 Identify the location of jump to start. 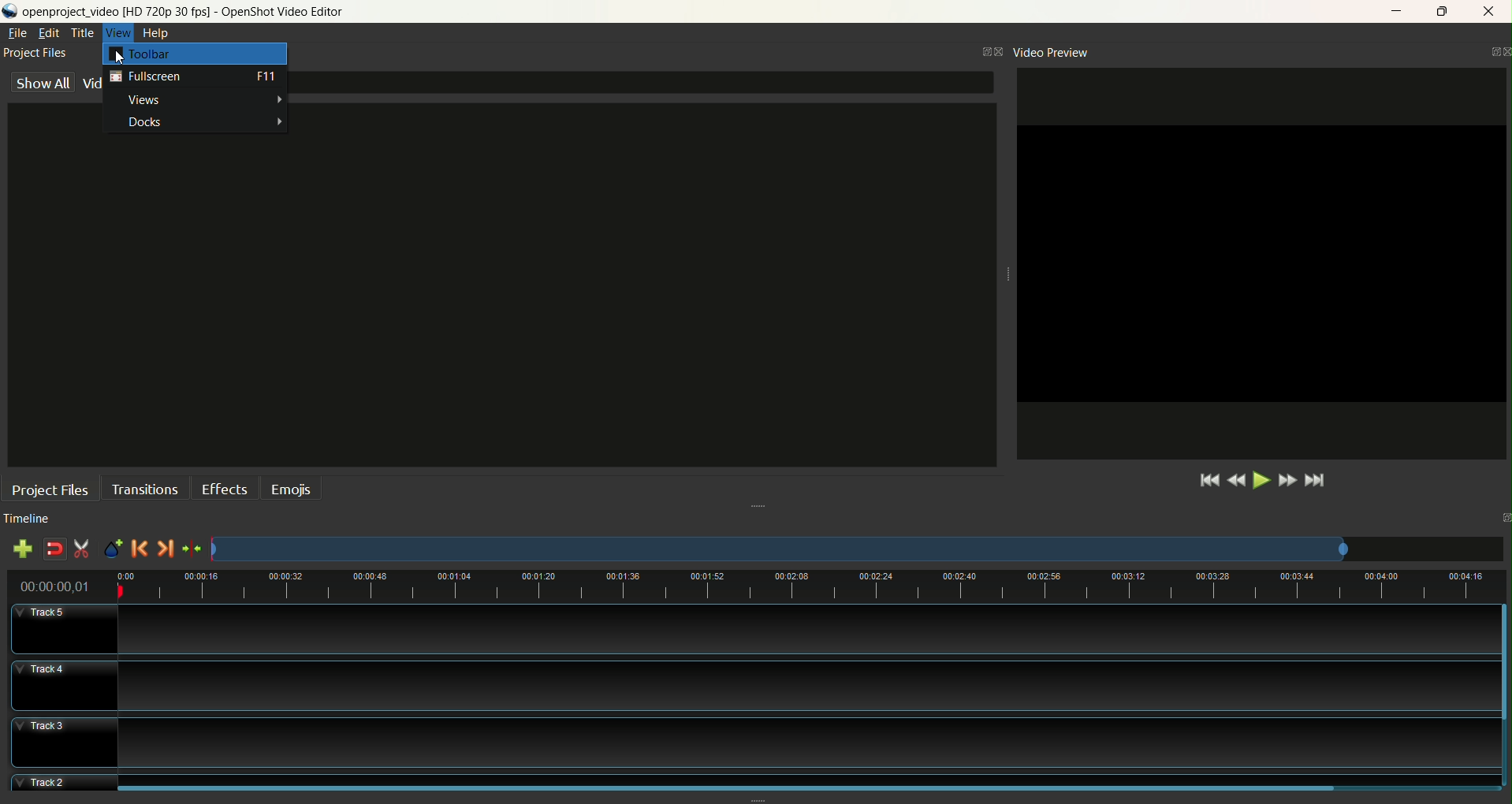
(1205, 482).